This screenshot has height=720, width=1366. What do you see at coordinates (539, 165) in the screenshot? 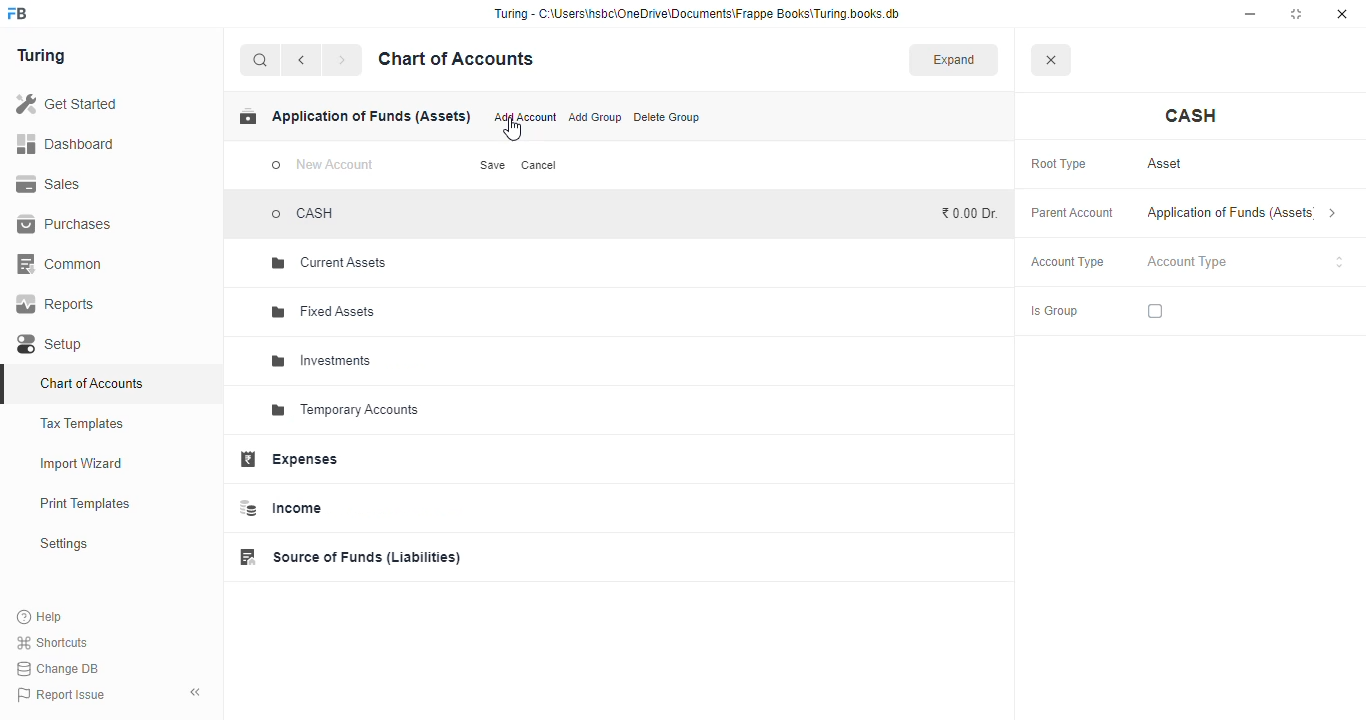
I see `cancel` at bounding box center [539, 165].